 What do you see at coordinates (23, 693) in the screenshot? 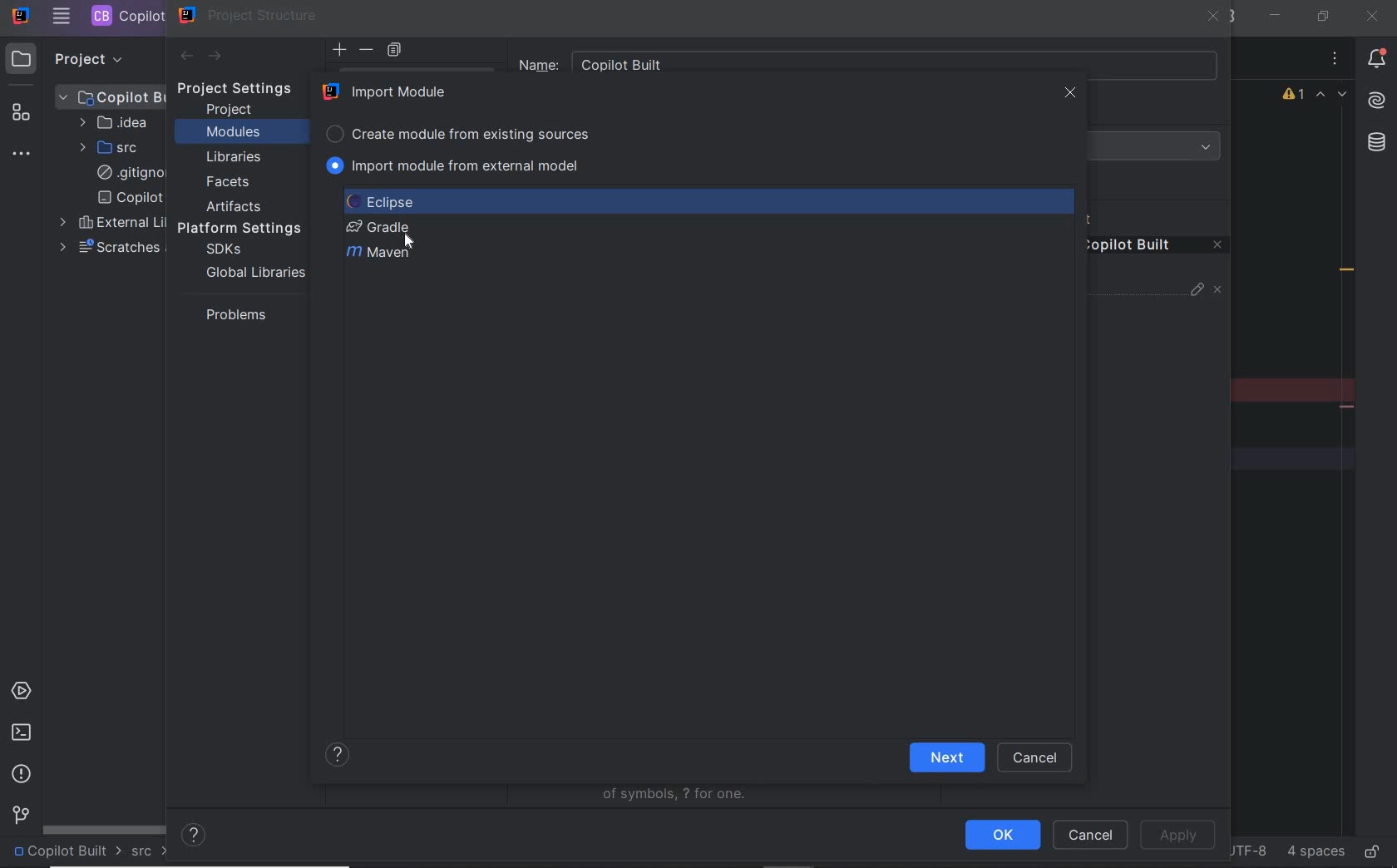
I see `services` at bounding box center [23, 693].